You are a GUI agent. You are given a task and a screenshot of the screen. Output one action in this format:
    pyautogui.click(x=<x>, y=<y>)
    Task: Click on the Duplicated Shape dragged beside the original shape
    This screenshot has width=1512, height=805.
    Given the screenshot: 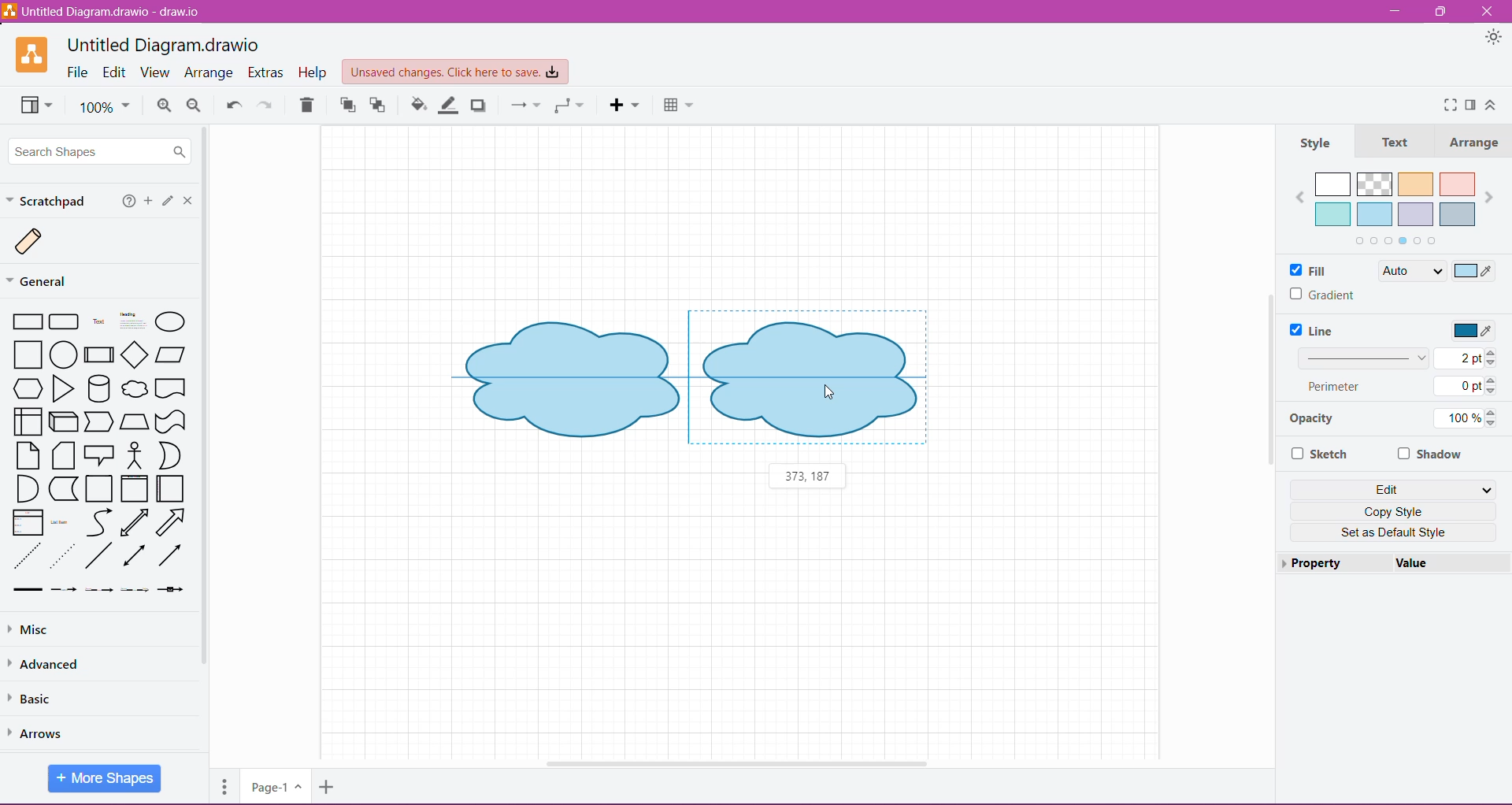 What is the action you would take?
    pyautogui.click(x=807, y=379)
    